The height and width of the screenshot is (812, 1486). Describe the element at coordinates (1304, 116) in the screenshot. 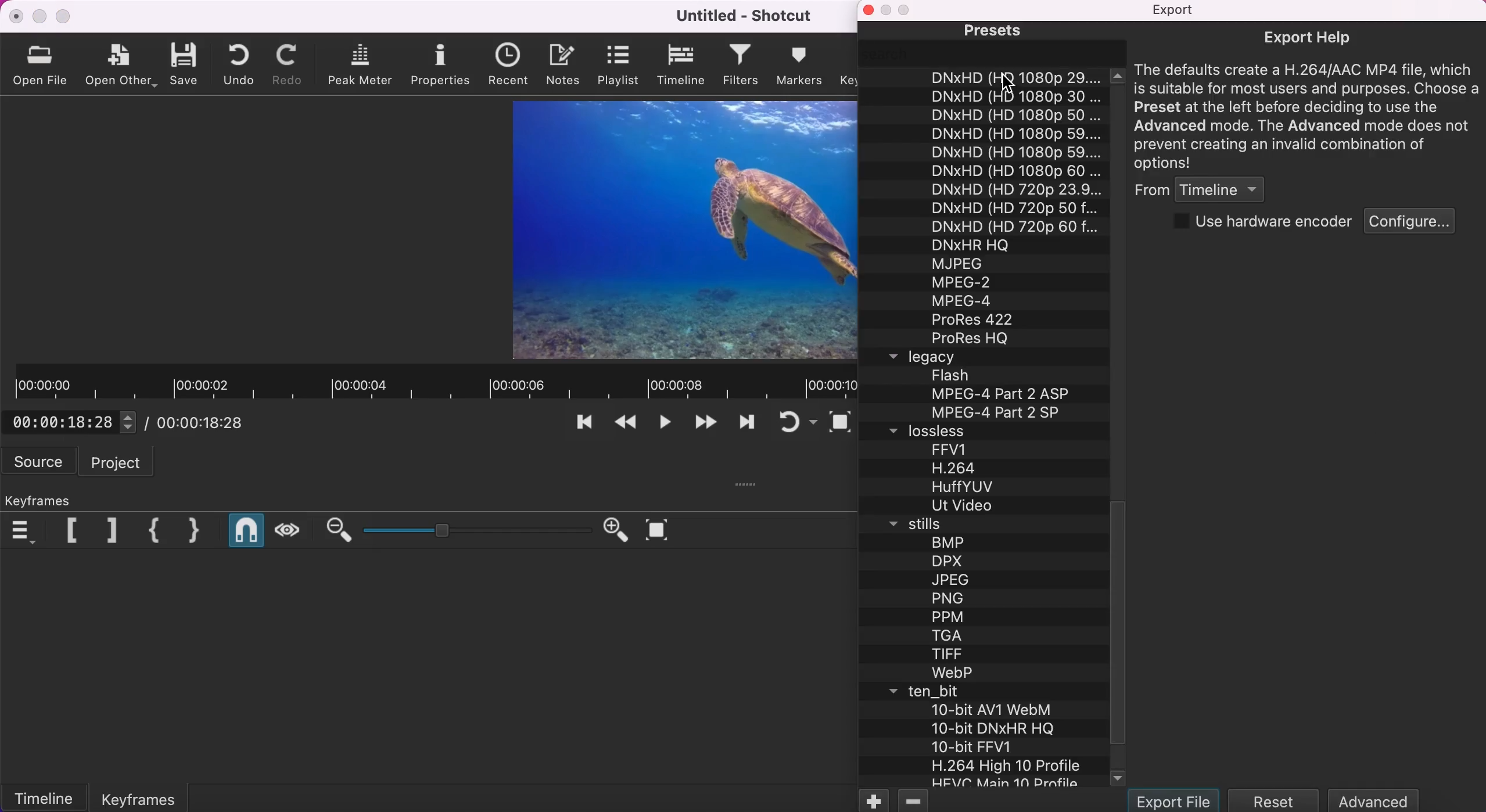

I see `The defaults create a H.264/AAC MP4 file, wich is suitable for most users and purposes. Choose a Preset at the left before deciding to use the Advanced mode. The Advanced mode does not prevent creating an invalid combination of options!` at that location.